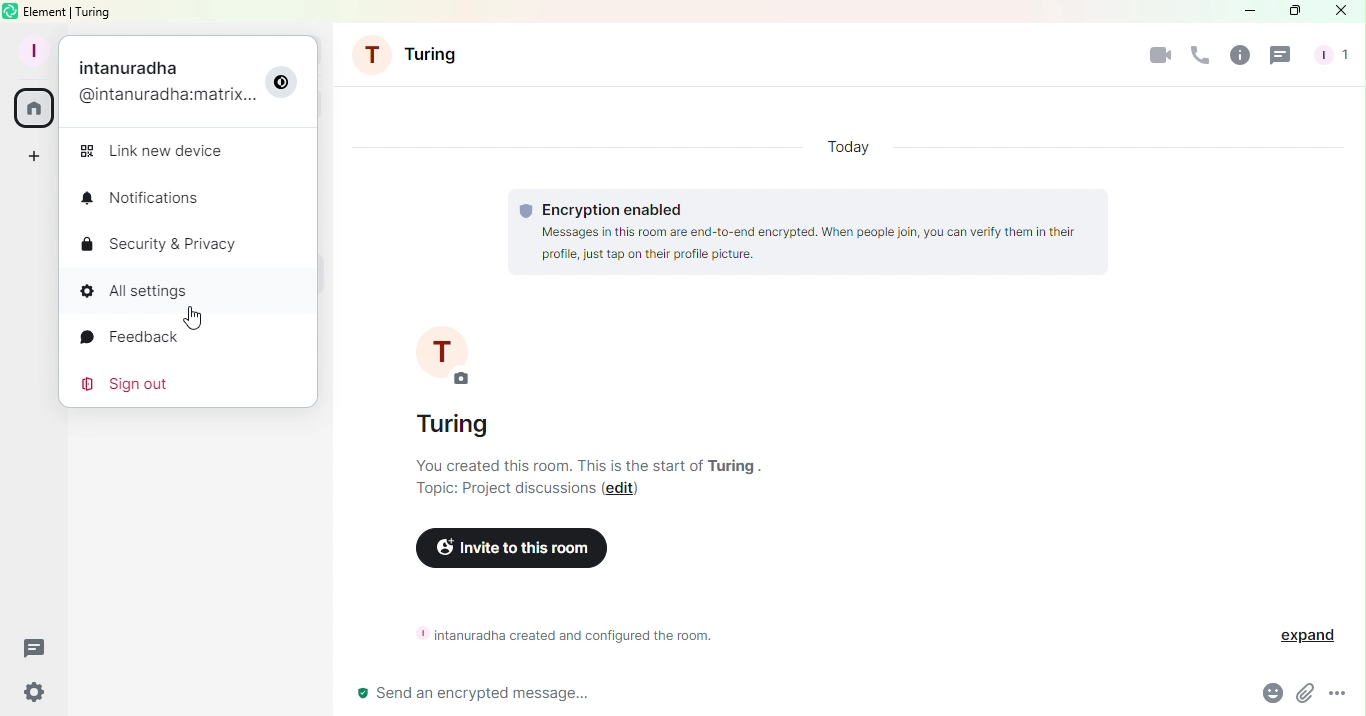 This screenshot has height=716, width=1366. What do you see at coordinates (1302, 695) in the screenshot?
I see `Attachment` at bounding box center [1302, 695].